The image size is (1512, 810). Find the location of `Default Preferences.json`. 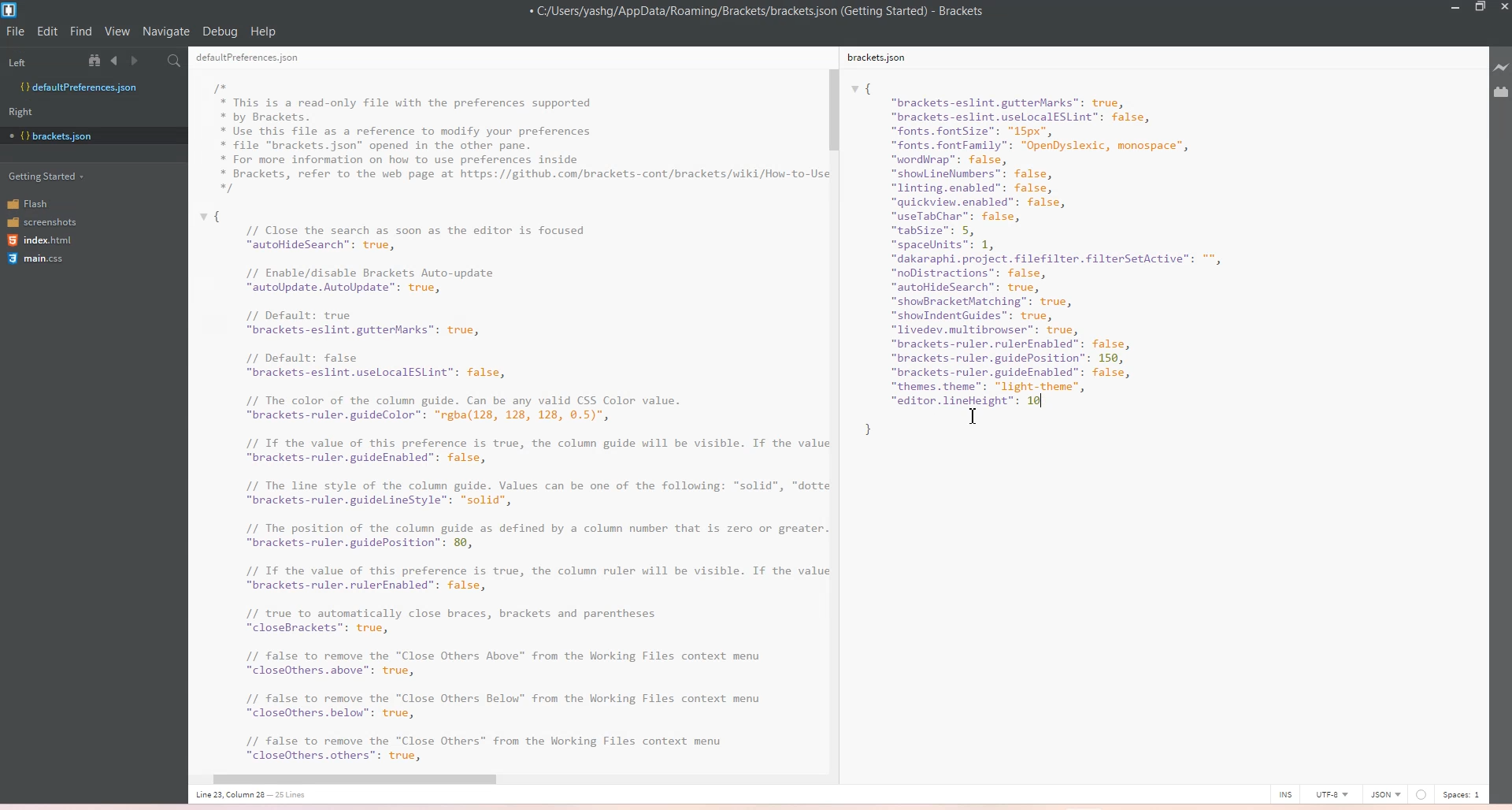

Default Preferences.json is located at coordinates (78, 87).